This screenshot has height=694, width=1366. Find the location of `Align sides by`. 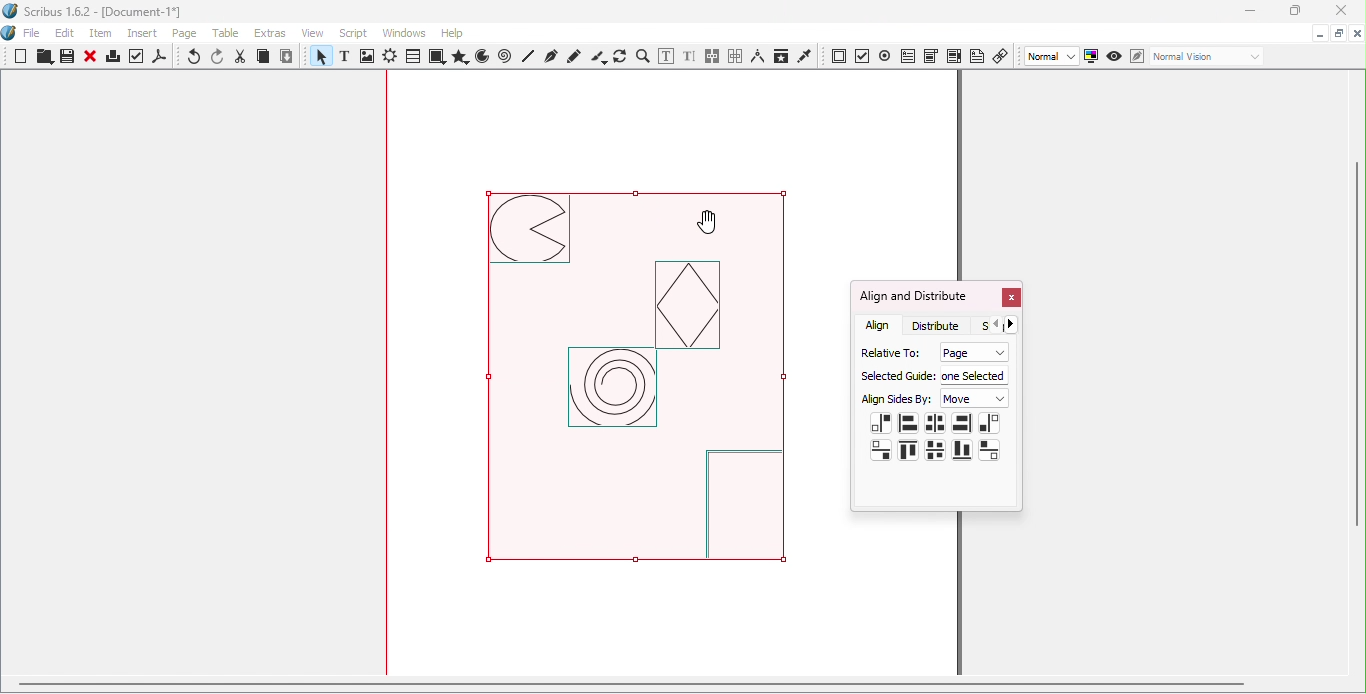

Align sides by is located at coordinates (897, 400).